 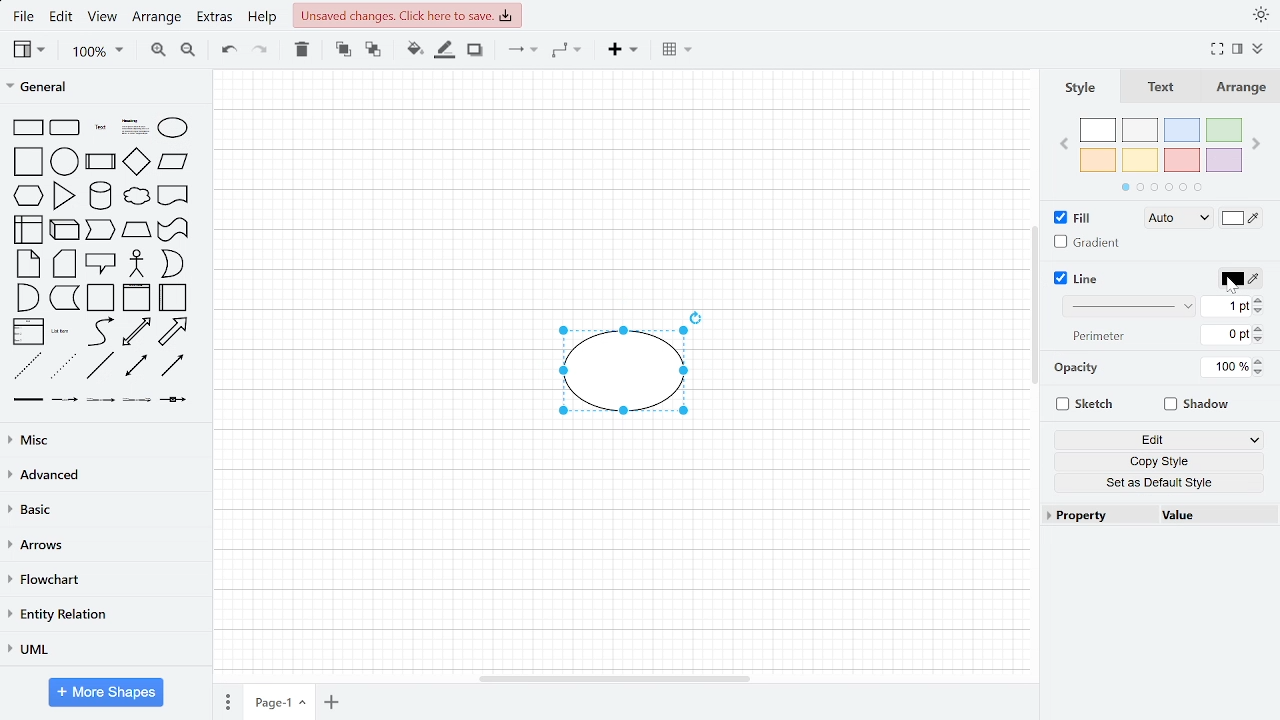 I want to click on parallelogram, so click(x=175, y=163).